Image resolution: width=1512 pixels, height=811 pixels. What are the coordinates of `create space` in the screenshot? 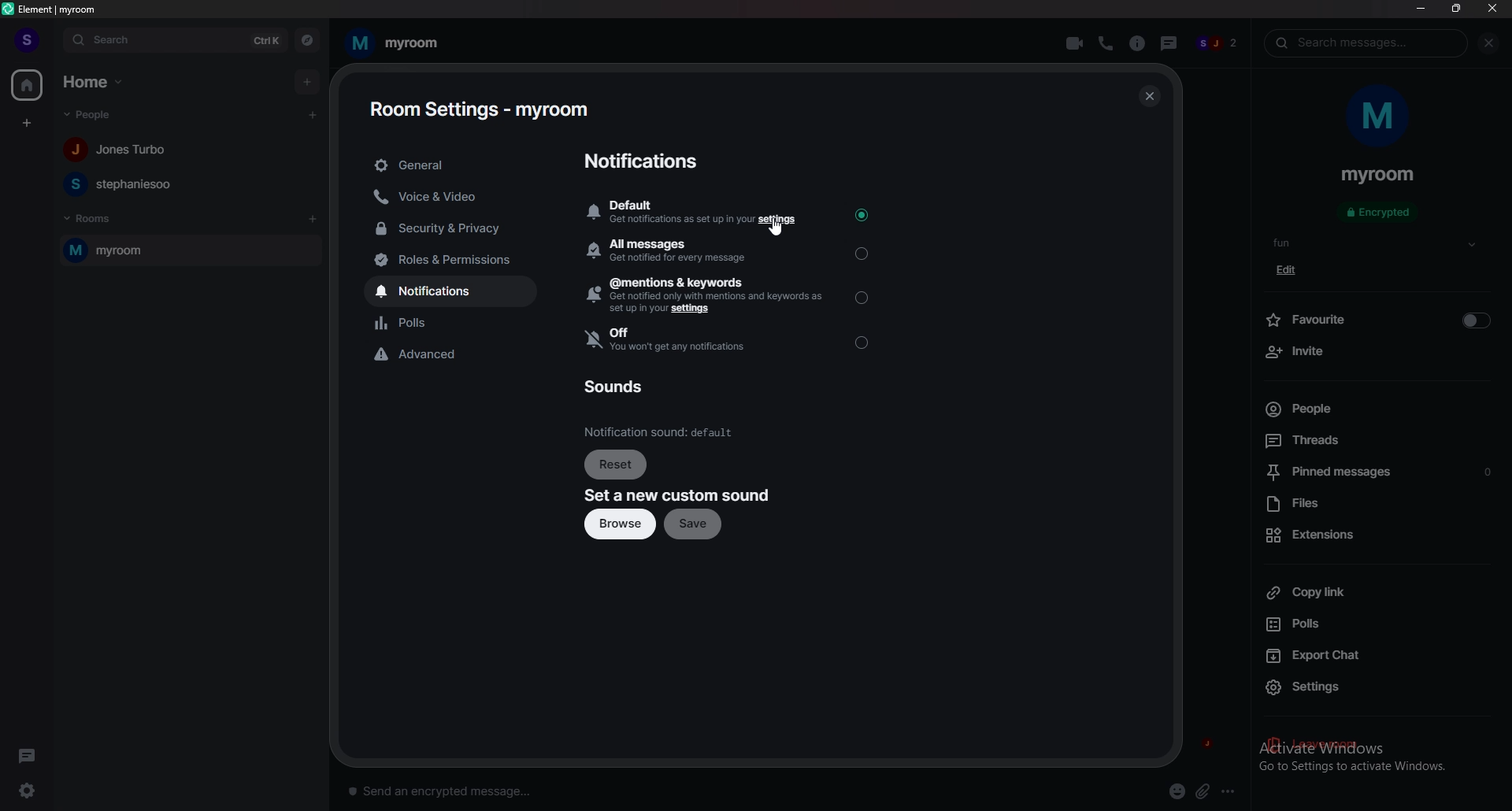 It's located at (26, 123).